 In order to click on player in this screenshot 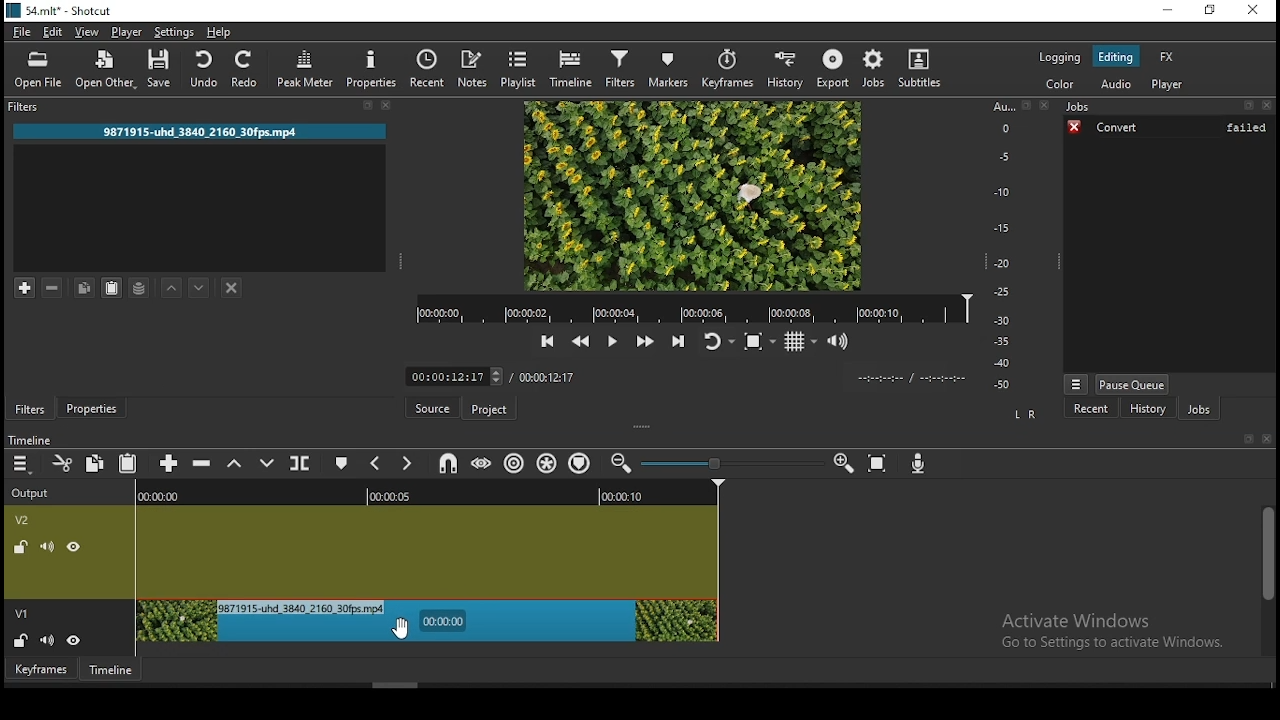, I will do `click(131, 34)`.